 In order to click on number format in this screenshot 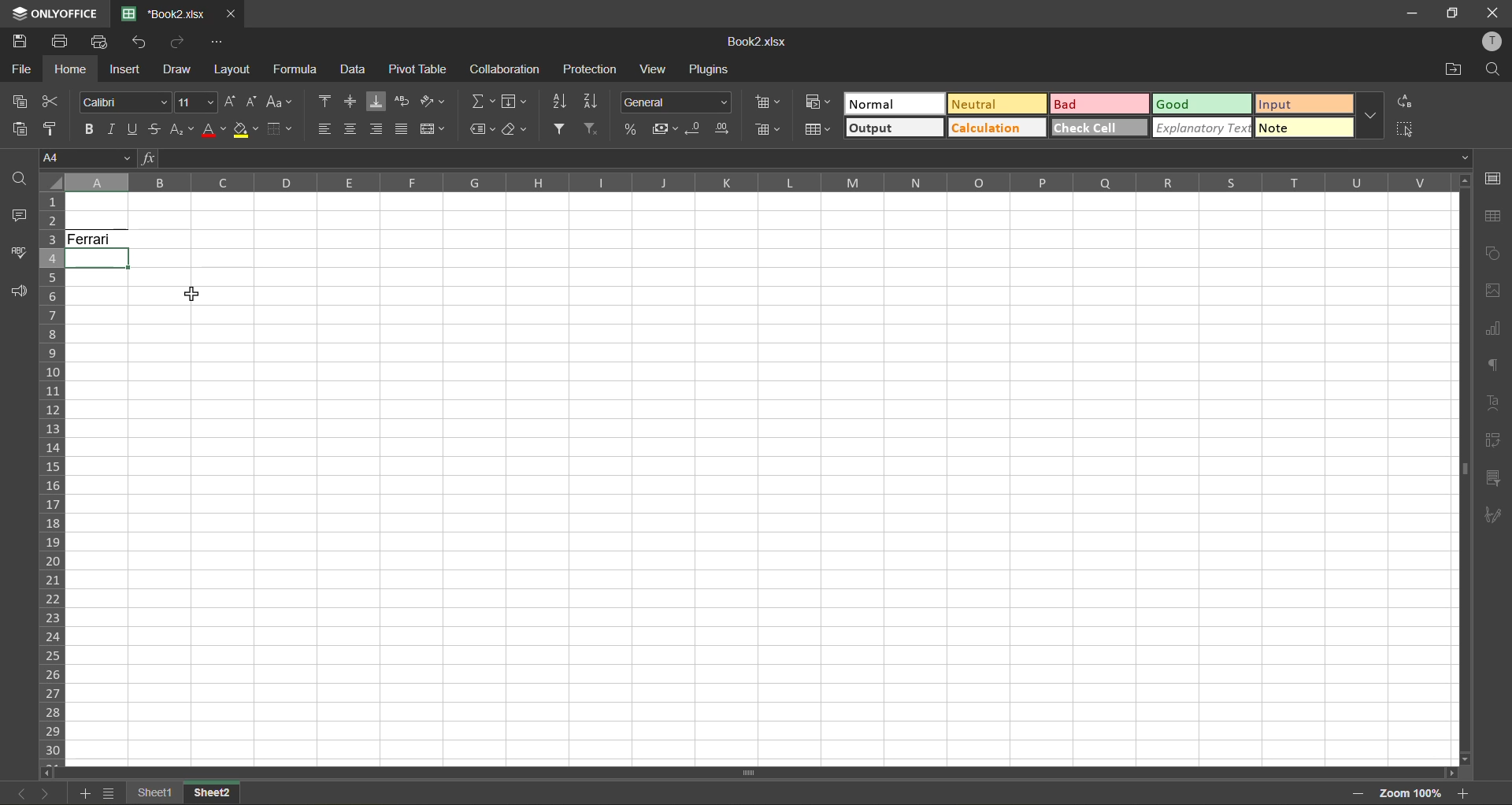, I will do `click(673, 102)`.